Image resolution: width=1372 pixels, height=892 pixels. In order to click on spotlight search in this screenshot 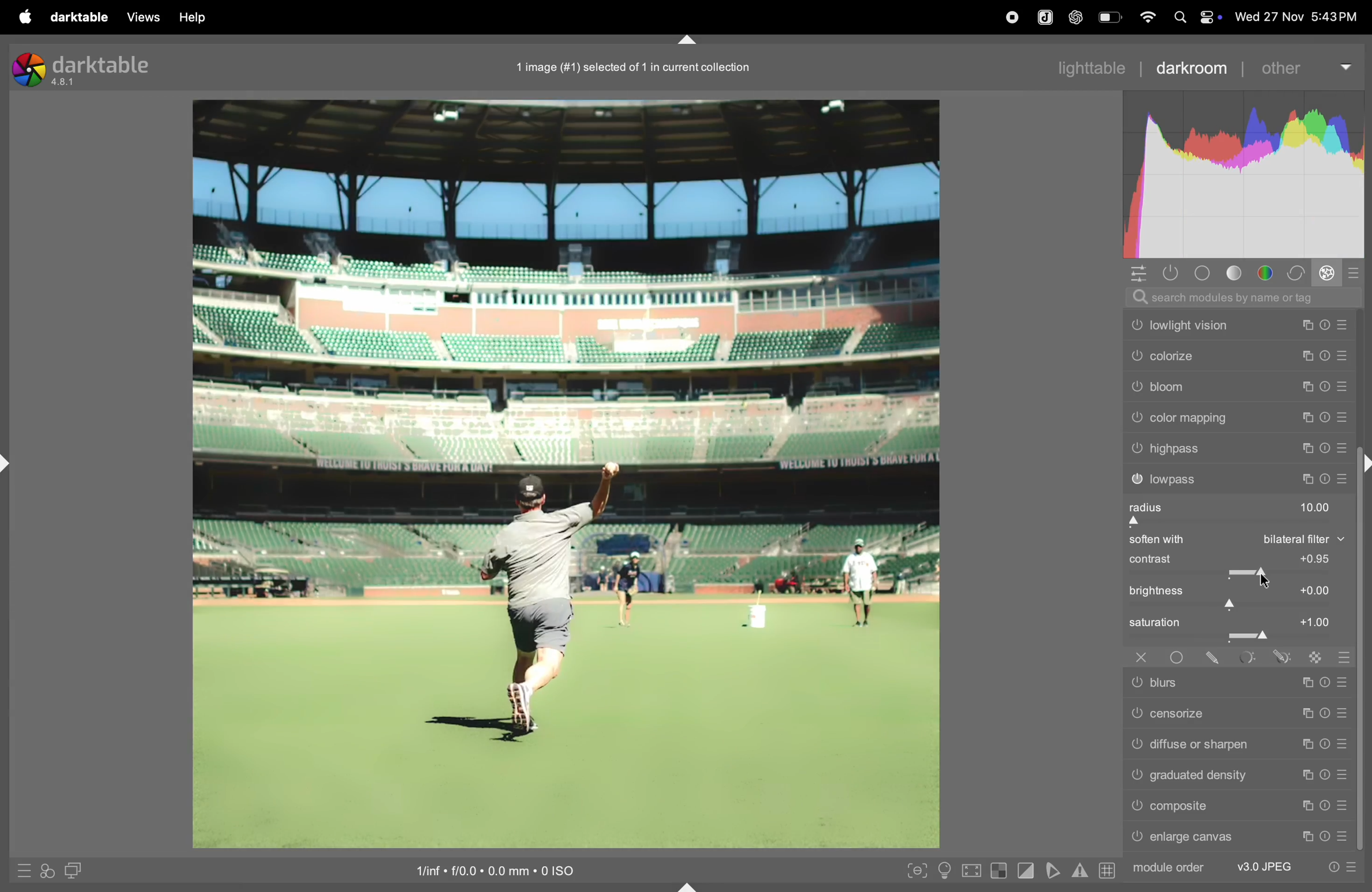, I will do `click(1176, 17)`.